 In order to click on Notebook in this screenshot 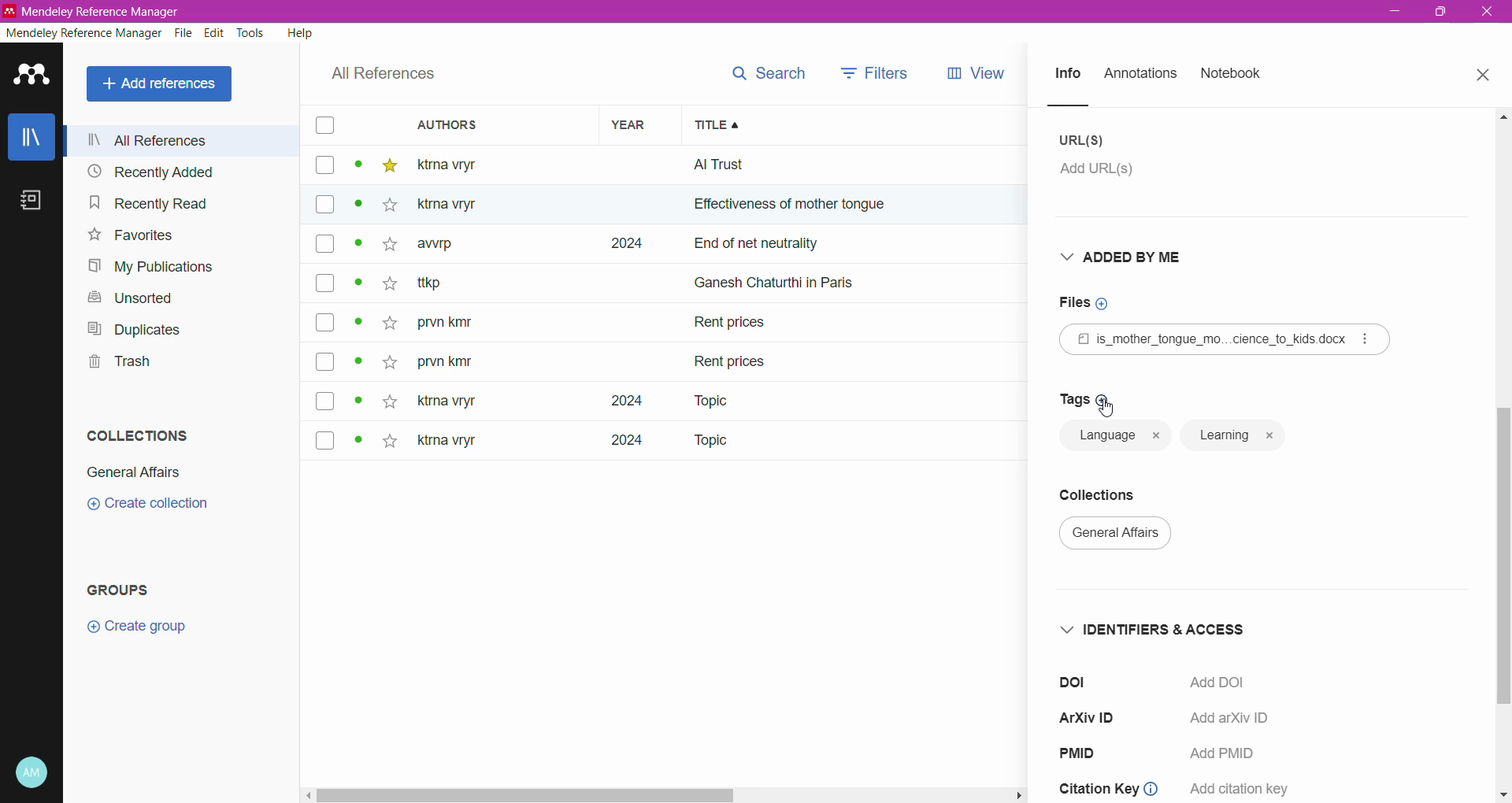, I will do `click(31, 200)`.